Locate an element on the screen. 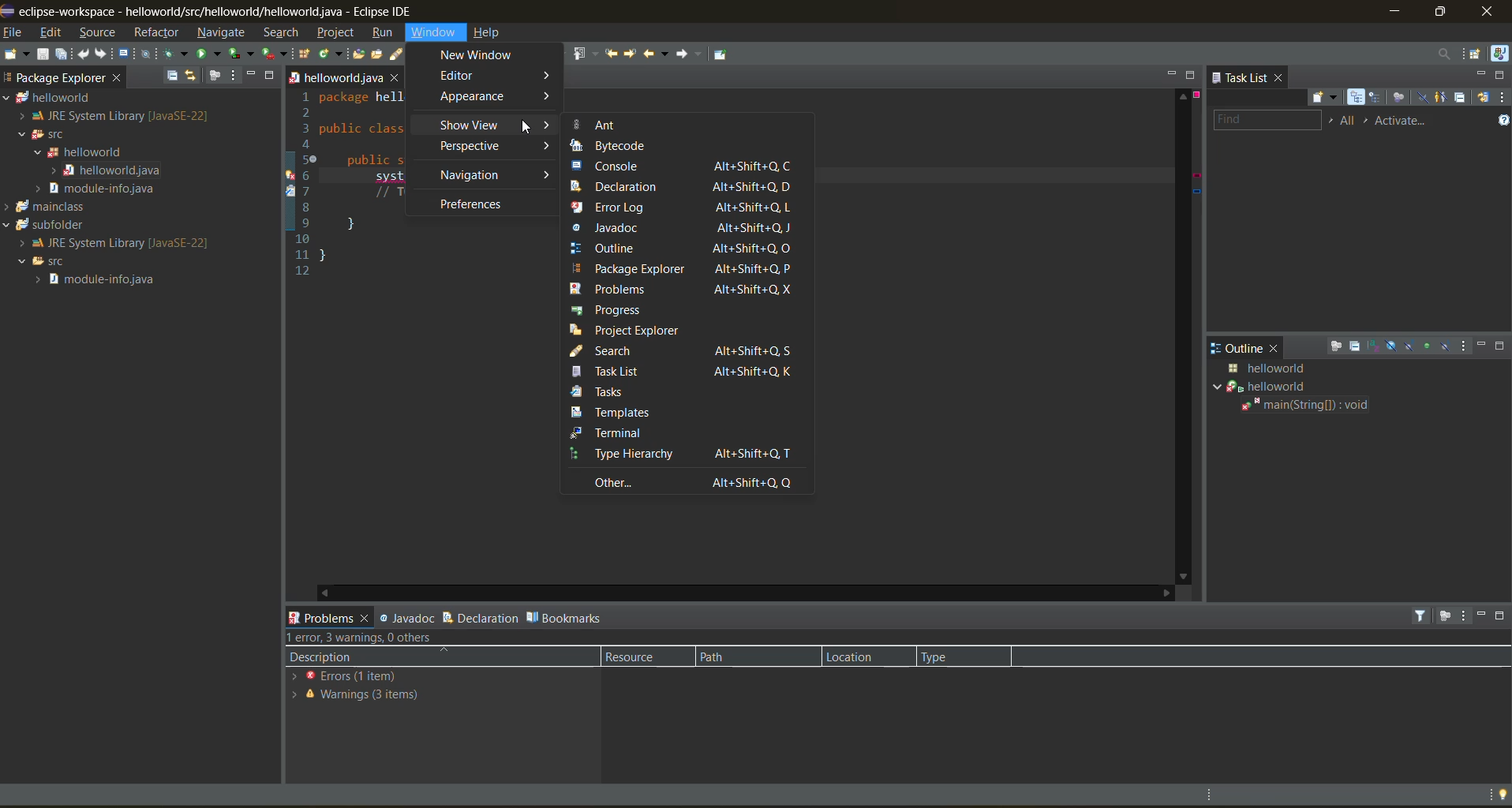 This screenshot has width=1512, height=808. open perspective is located at coordinates (1474, 56).